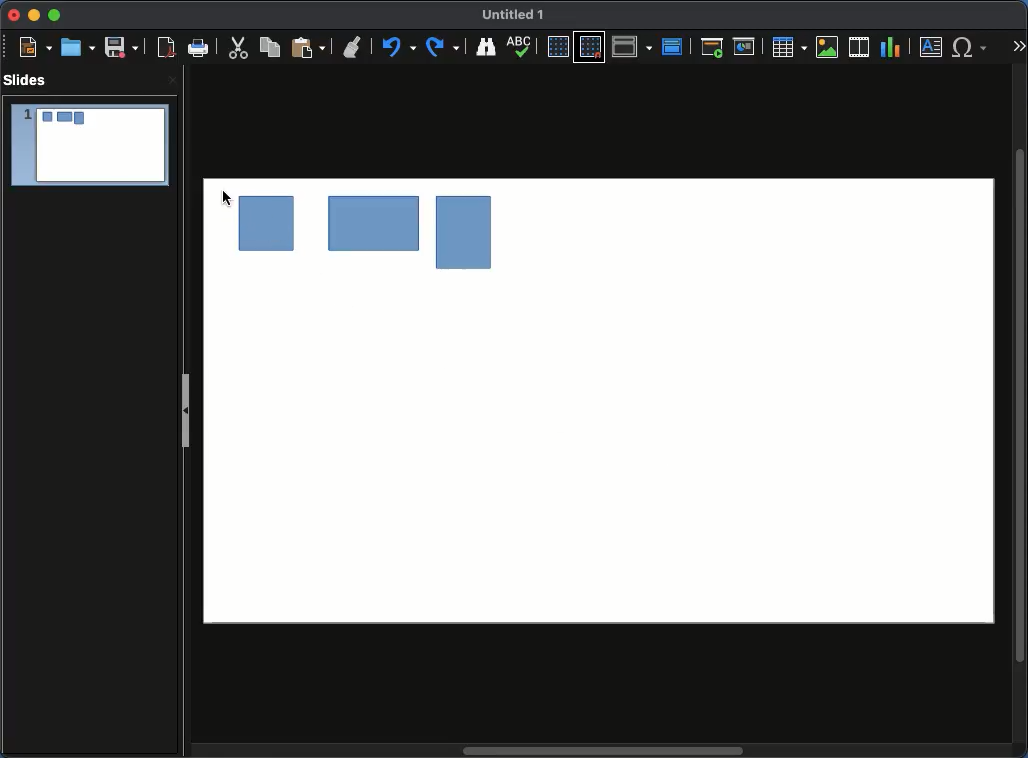 This screenshot has height=758, width=1028. Describe the element at coordinates (223, 198) in the screenshot. I see `cursor` at that location.